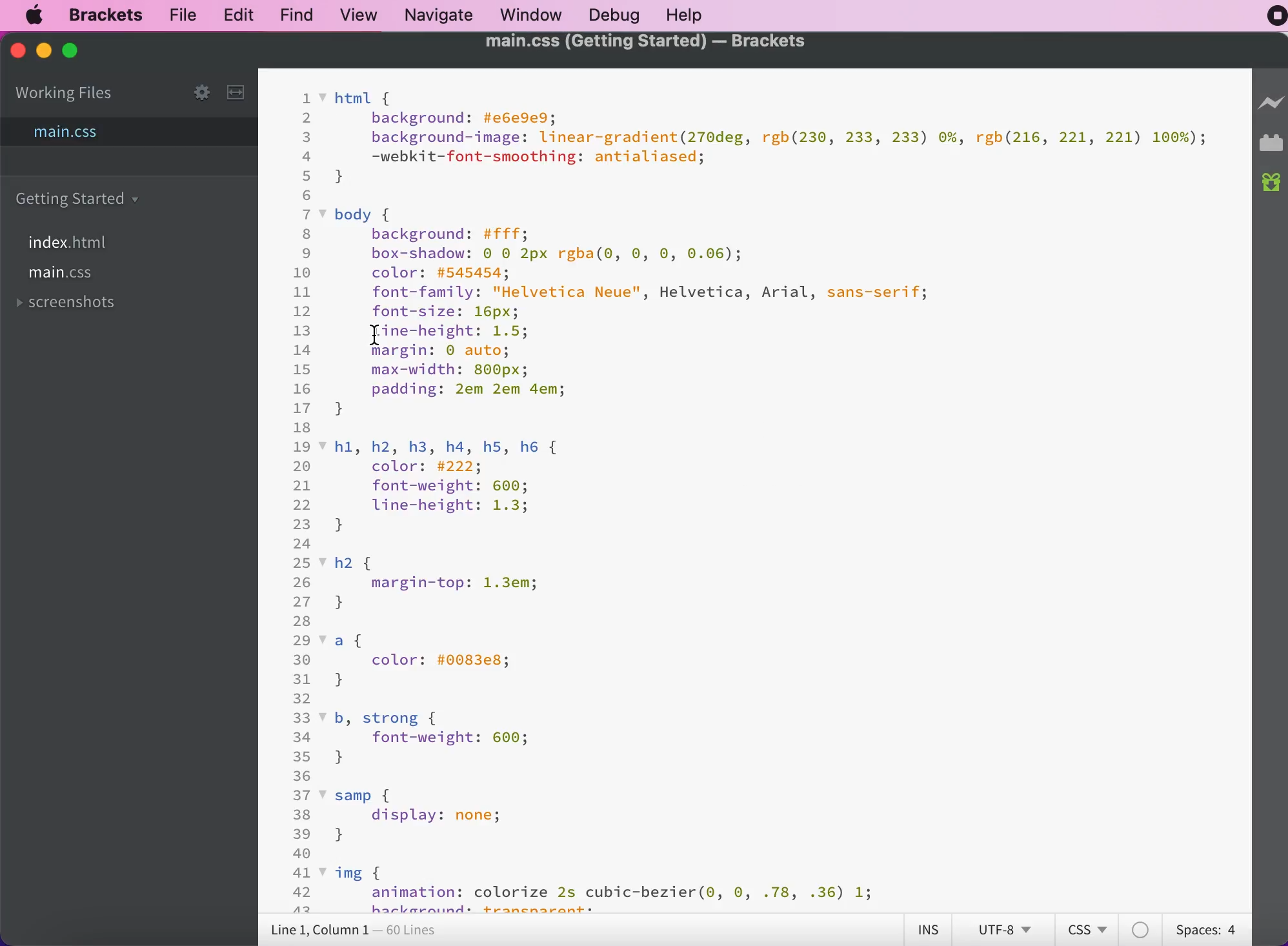 Image resolution: width=1288 pixels, height=946 pixels. I want to click on 35, so click(302, 758).